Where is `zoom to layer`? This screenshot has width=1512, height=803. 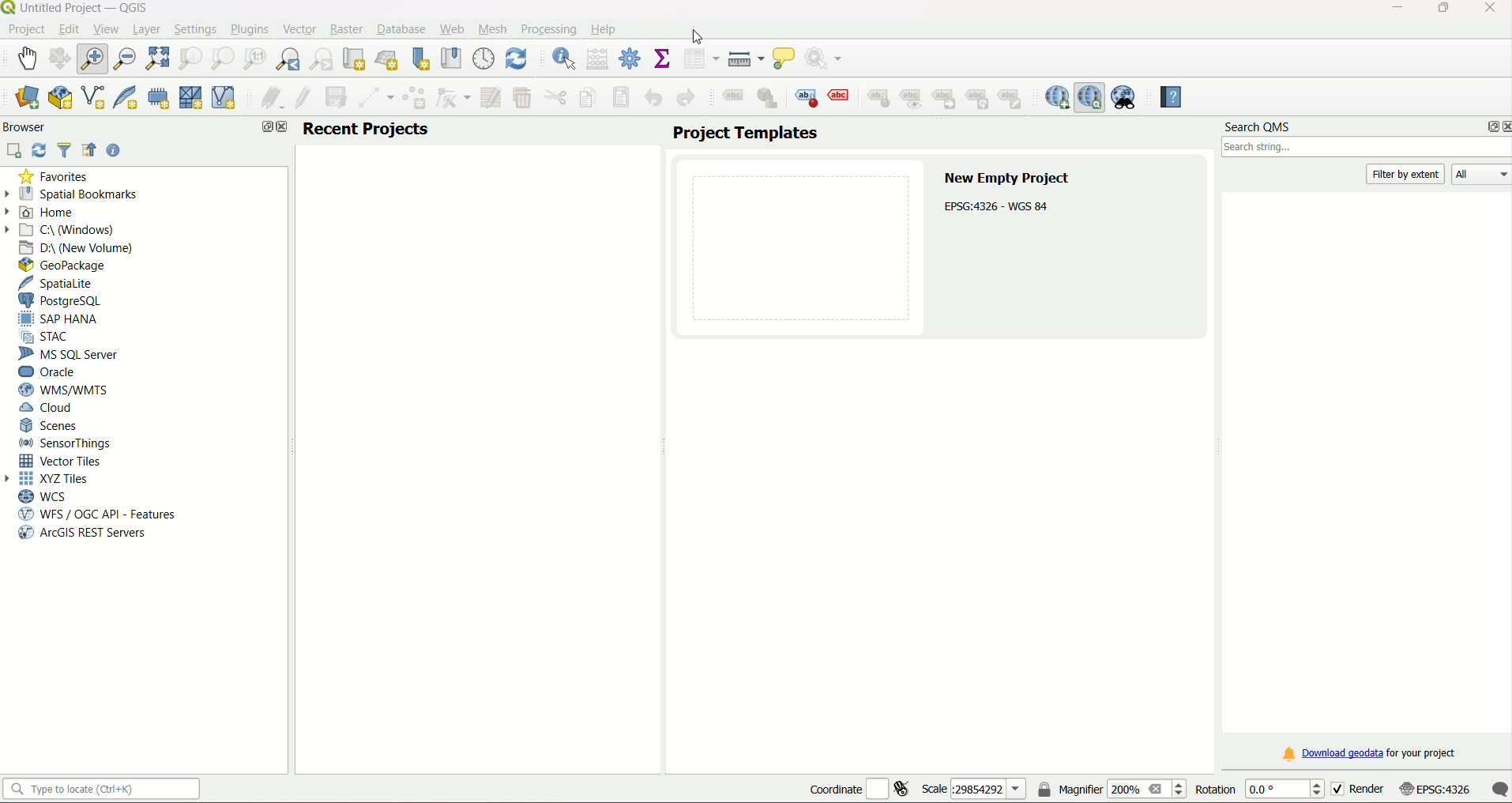 zoom to layer is located at coordinates (220, 58).